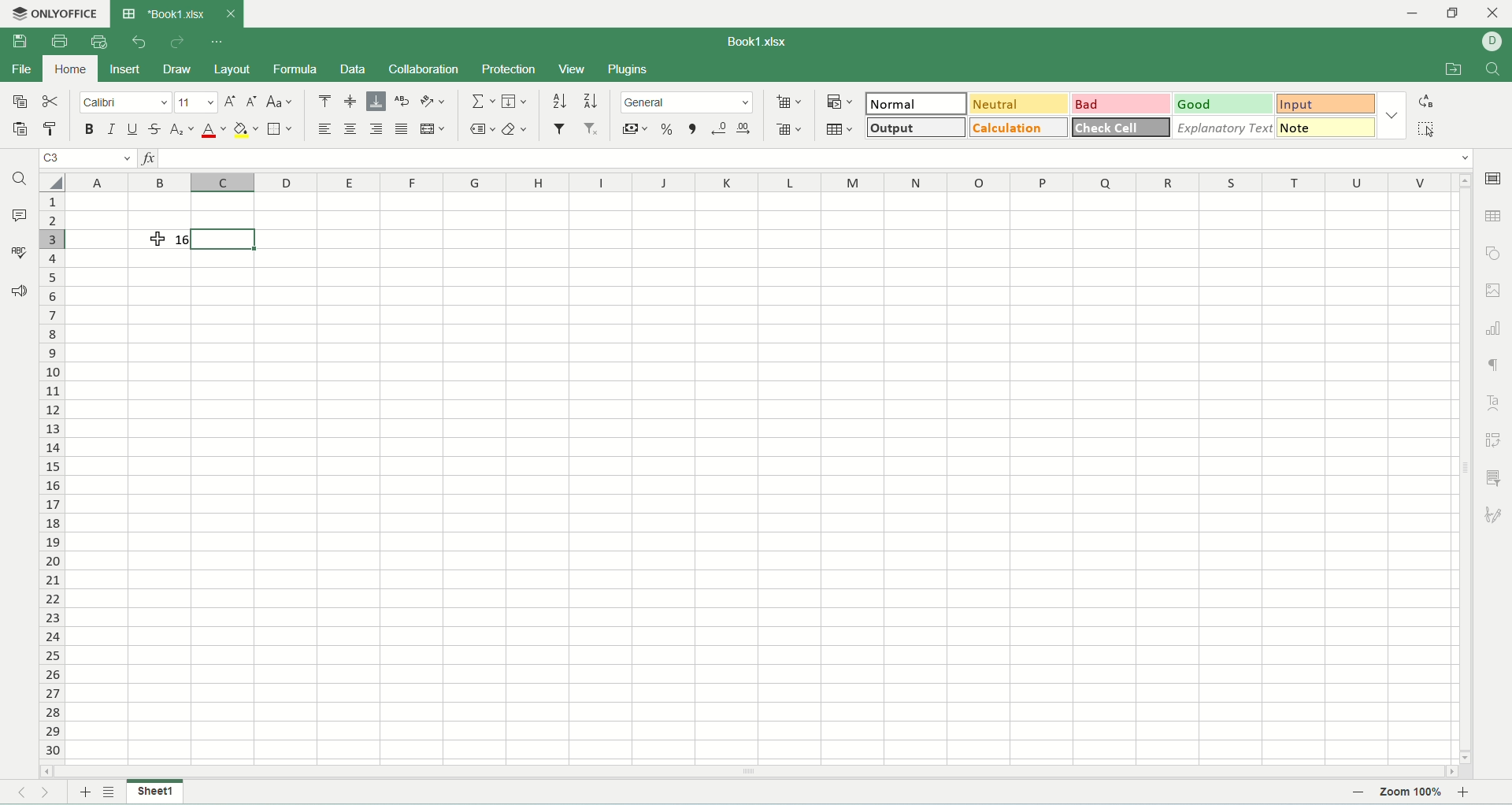 The height and width of the screenshot is (805, 1512). Describe the element at coordinates (402, 129) in the screenshot. I see `justified` at that location.